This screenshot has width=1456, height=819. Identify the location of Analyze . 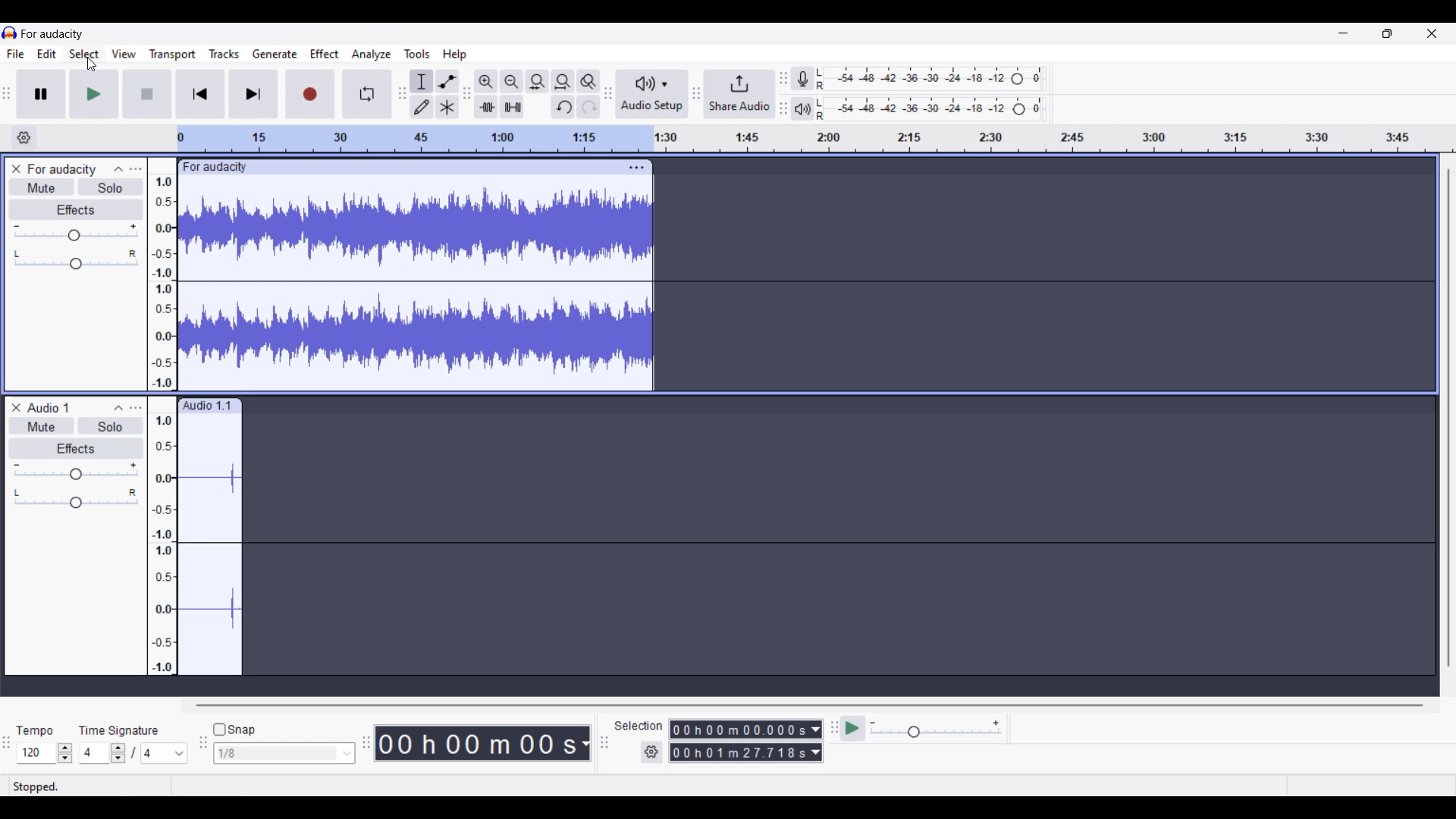
(370, 55).